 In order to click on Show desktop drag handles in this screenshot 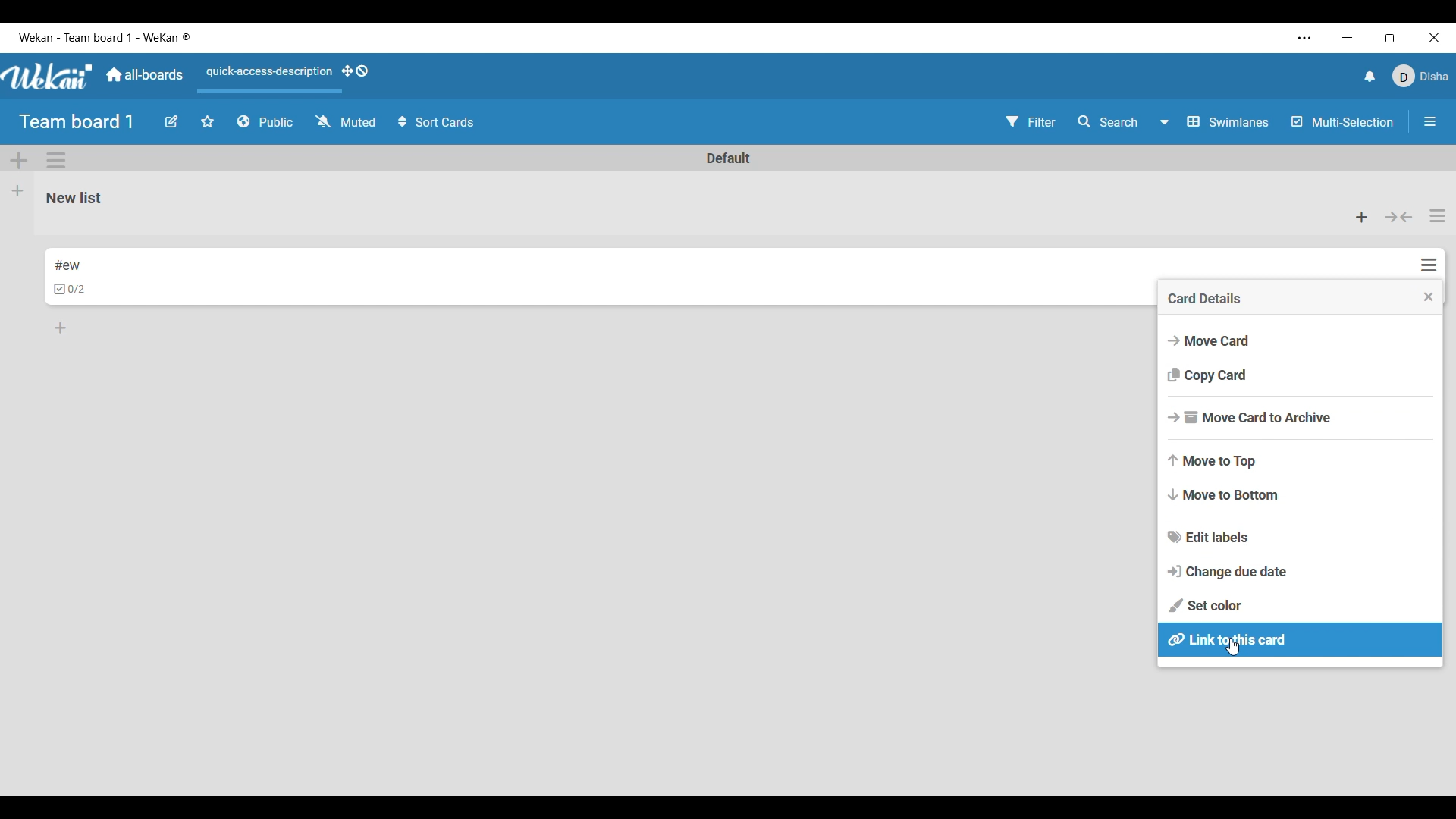, I will do `click(355, 71)`.